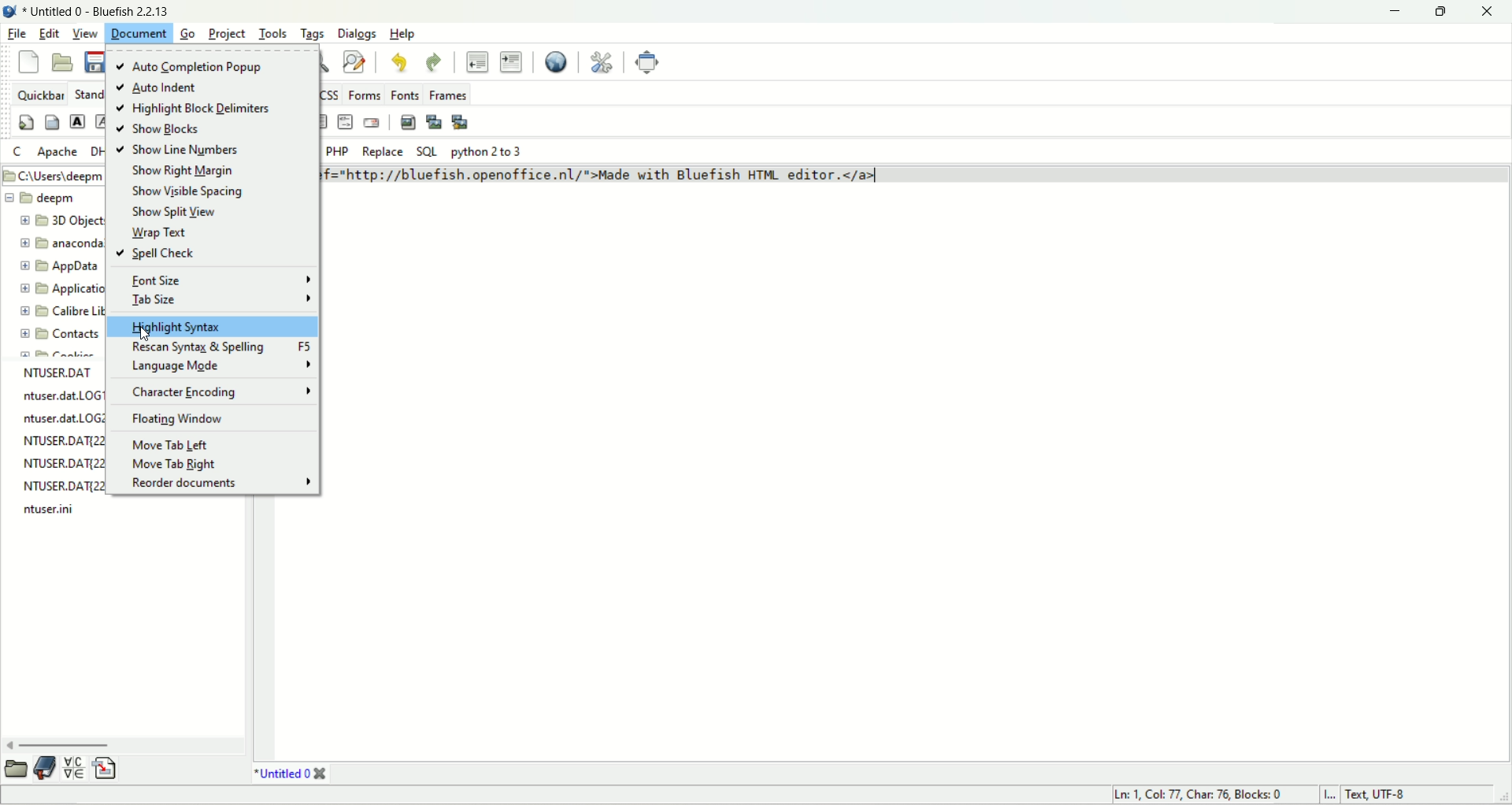 This screenshot has width=1512, height=805. I want to click on minimize, so click(1391, 12).